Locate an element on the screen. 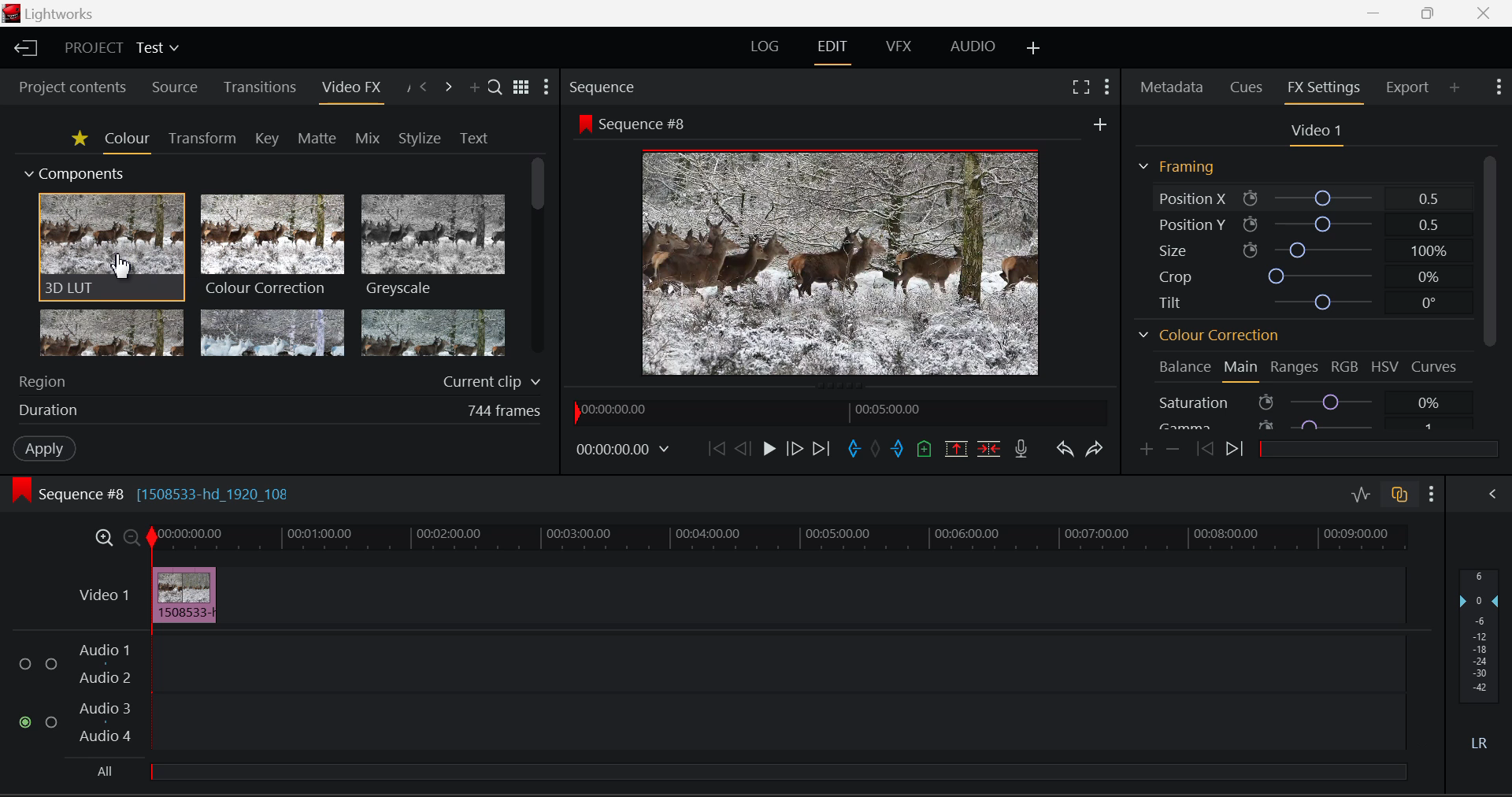 This screenshot has width=1512, height=797. Source is located at coordinates (176, 87).